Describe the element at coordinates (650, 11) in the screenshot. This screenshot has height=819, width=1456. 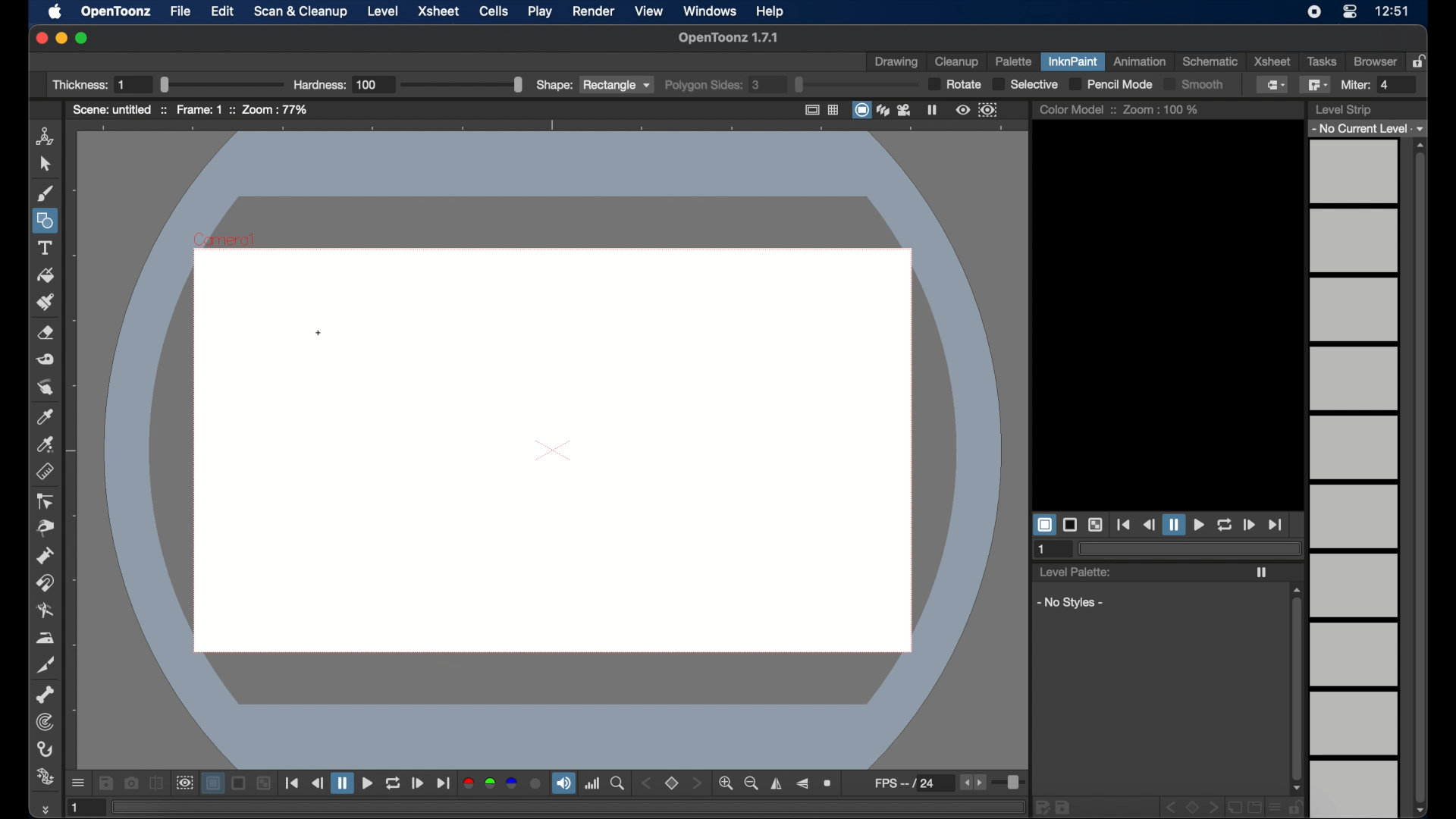
I see `view` at that location.